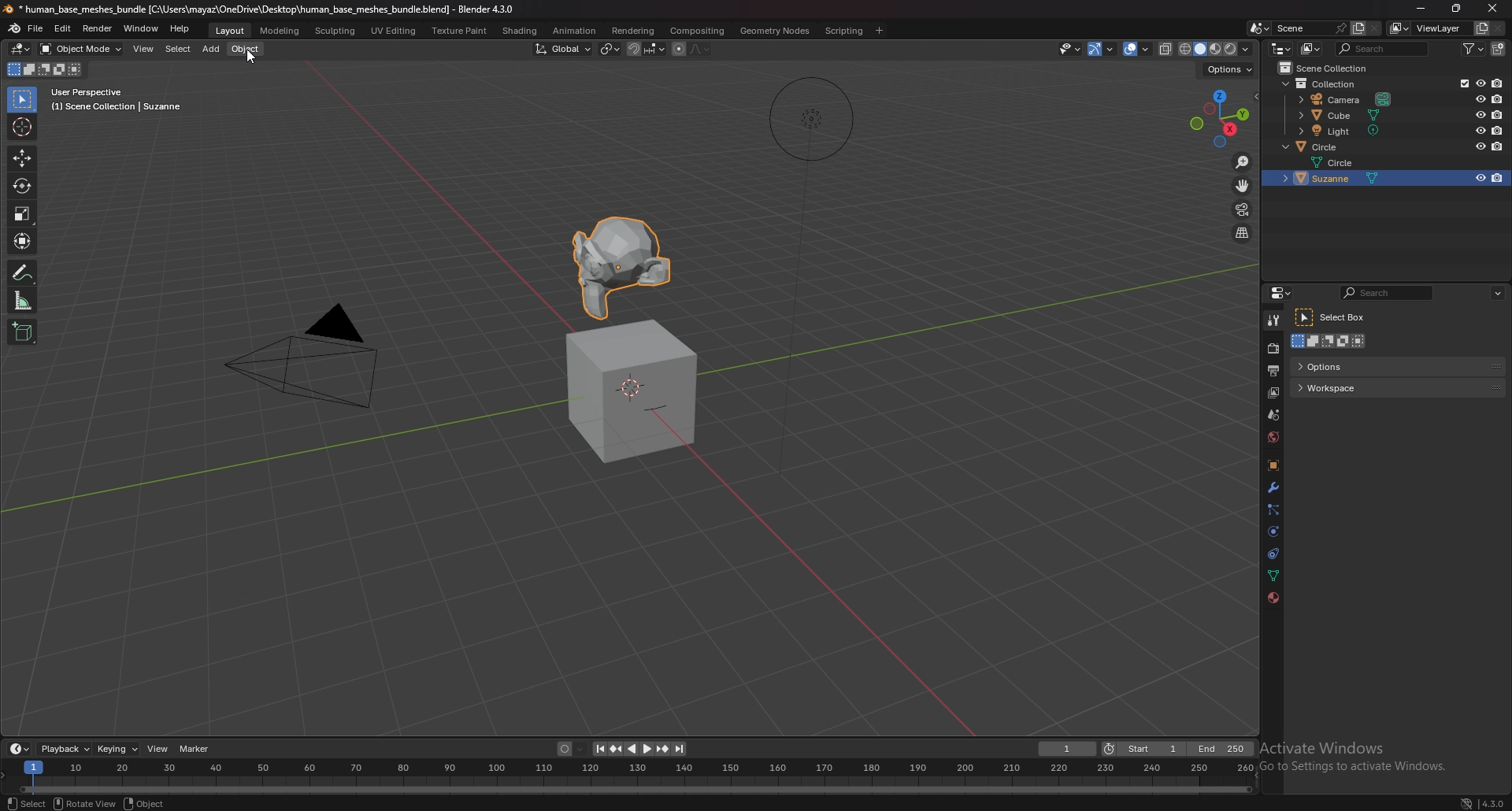 The image size is (1512, 811). I want to click on camera, so click(1346, 99).